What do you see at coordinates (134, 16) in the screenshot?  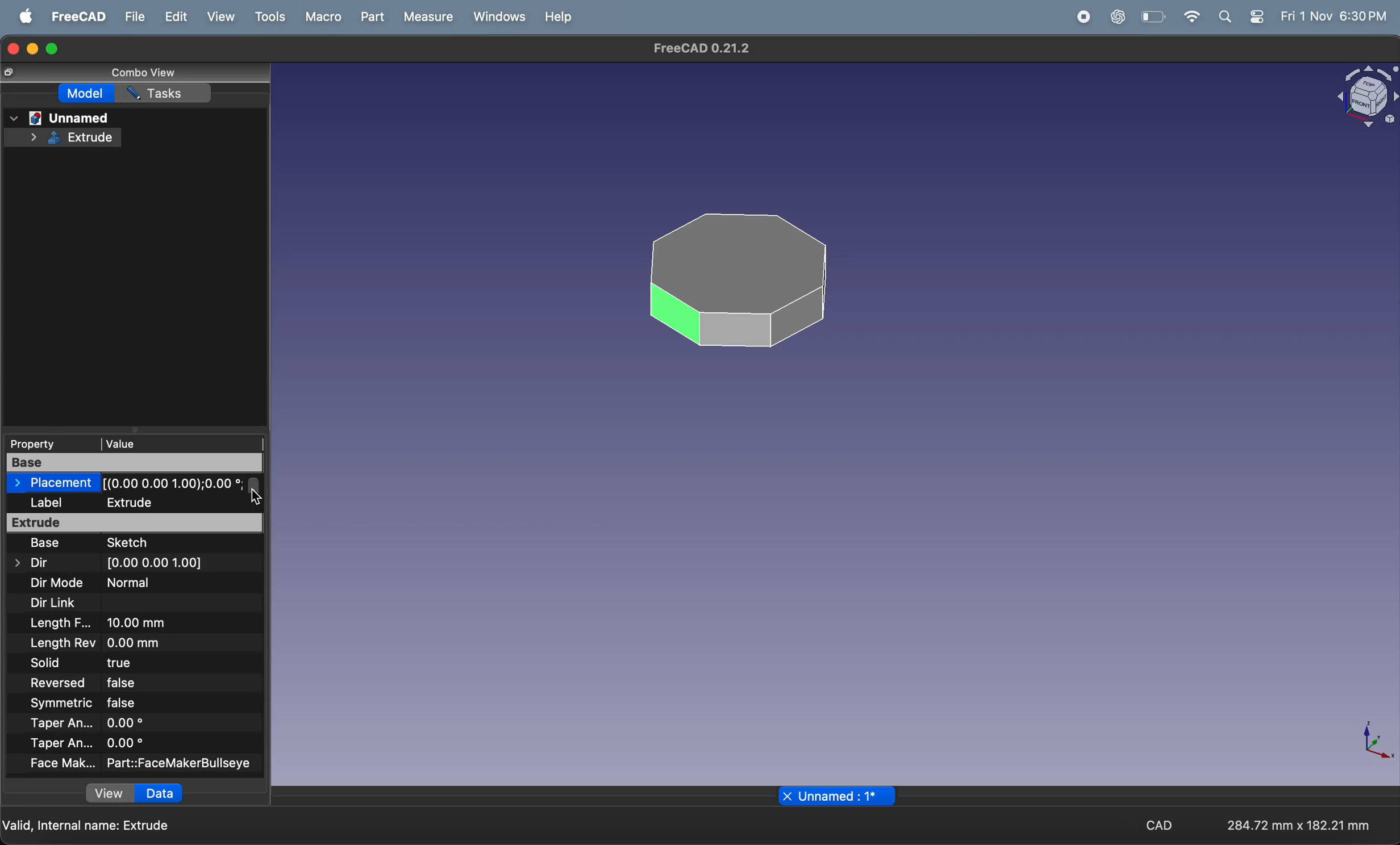 I see `file` at bounding box center [134, 16].